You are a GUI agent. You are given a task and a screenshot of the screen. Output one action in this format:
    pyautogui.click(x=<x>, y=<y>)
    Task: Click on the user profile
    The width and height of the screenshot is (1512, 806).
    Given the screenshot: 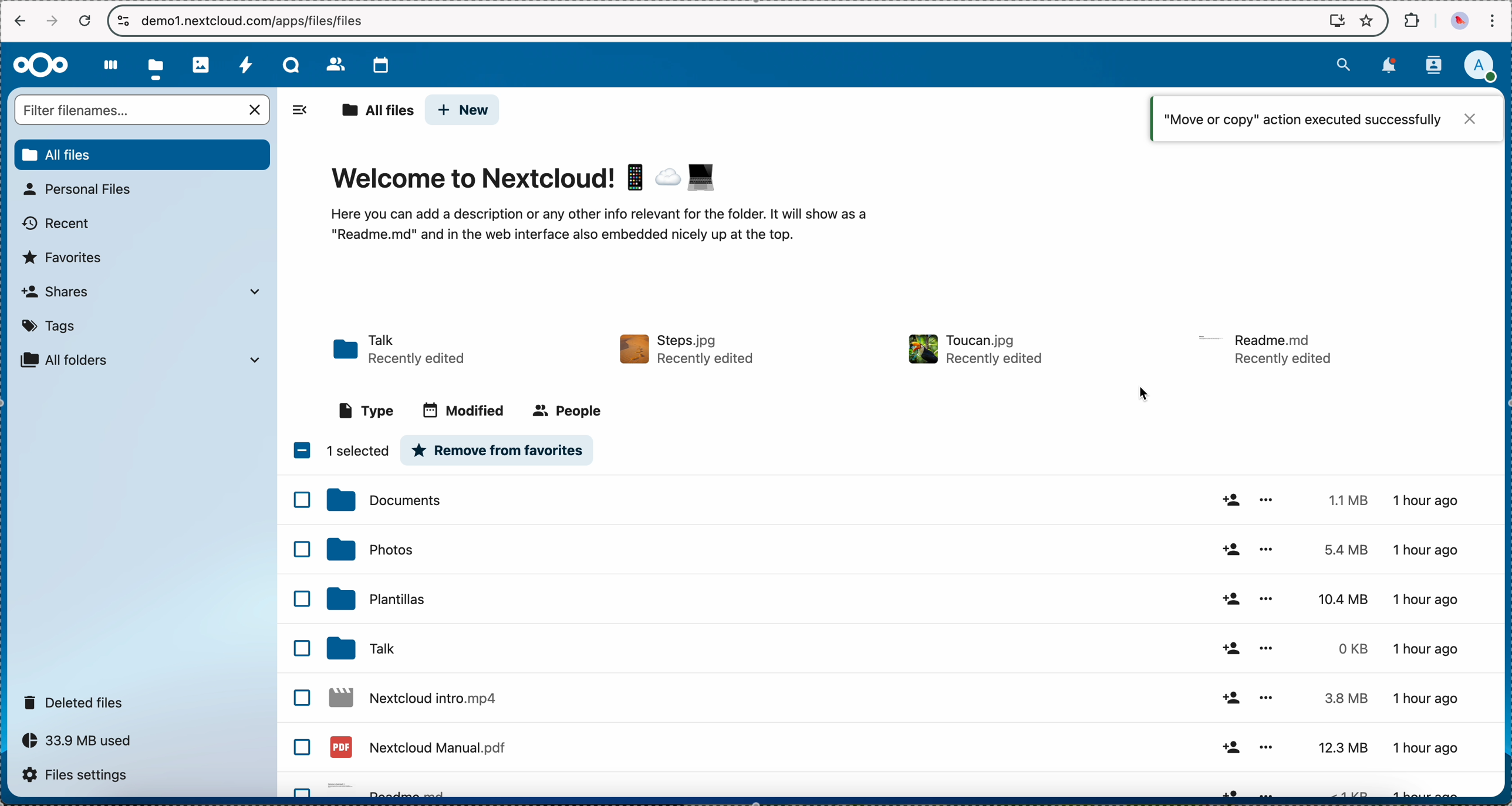 What is the action you would take?
    pyautogui.click(x=1486, y=66)
    